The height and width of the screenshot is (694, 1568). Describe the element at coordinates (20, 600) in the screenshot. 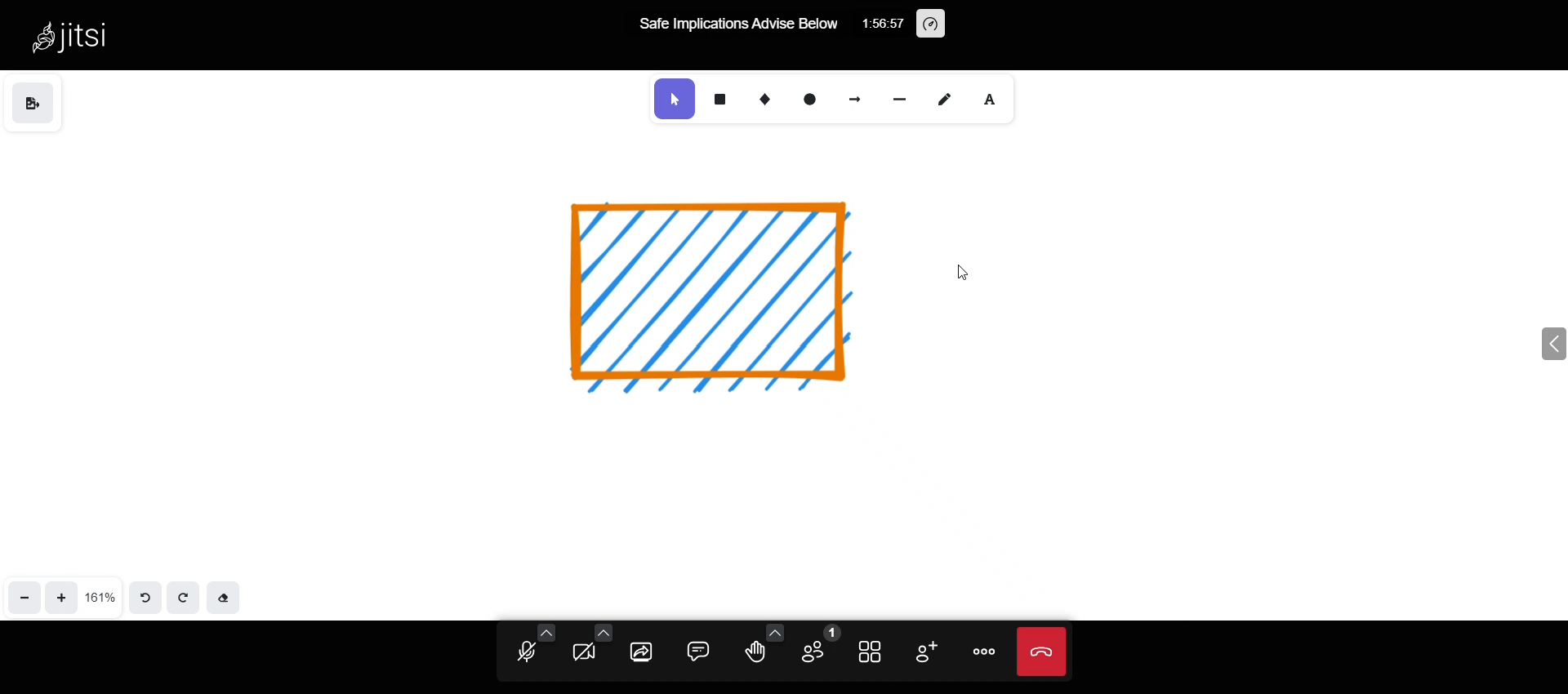

I see `zoom out` at that location.